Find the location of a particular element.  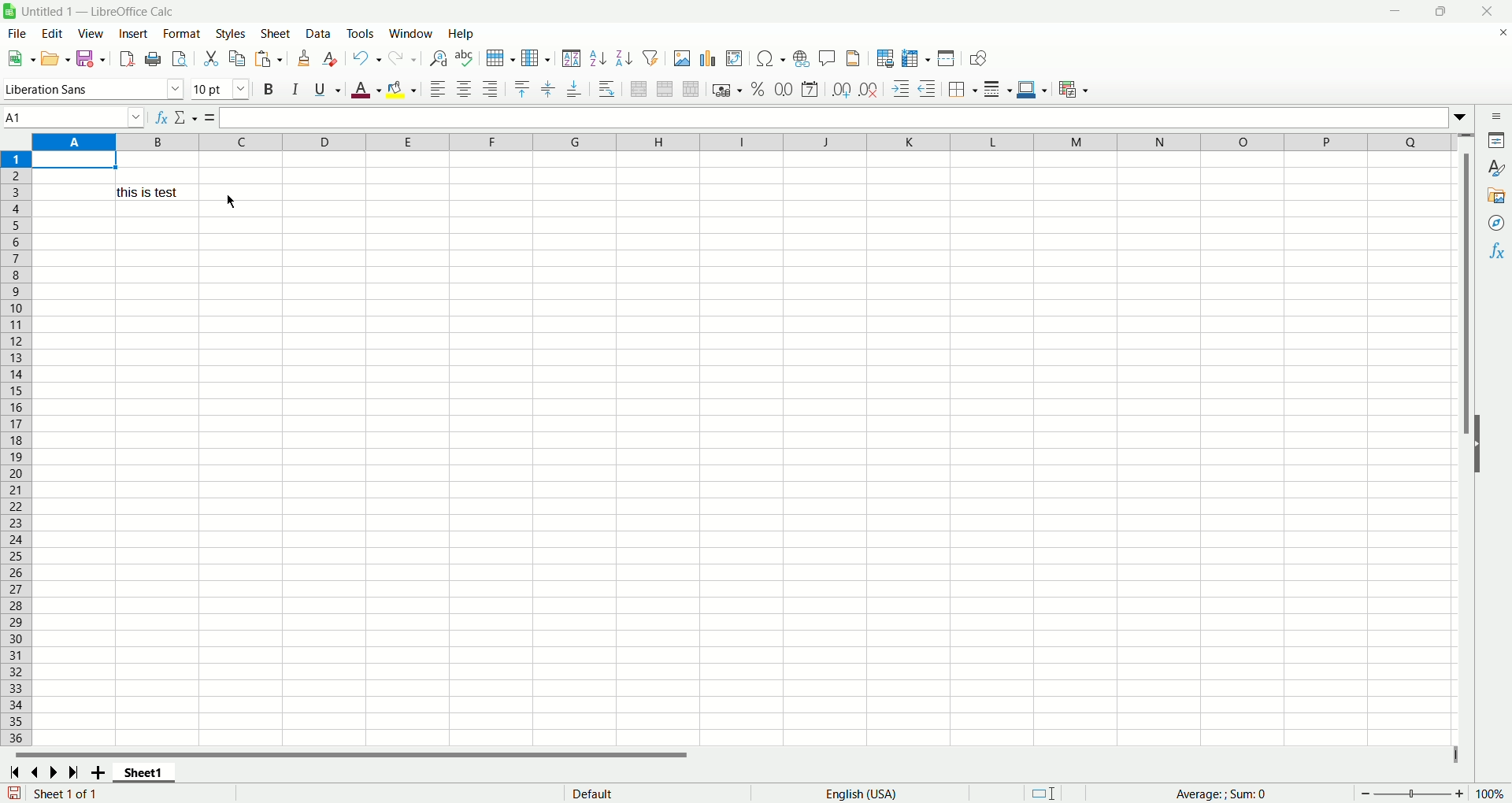

borders is located at coordinates (964, 87).